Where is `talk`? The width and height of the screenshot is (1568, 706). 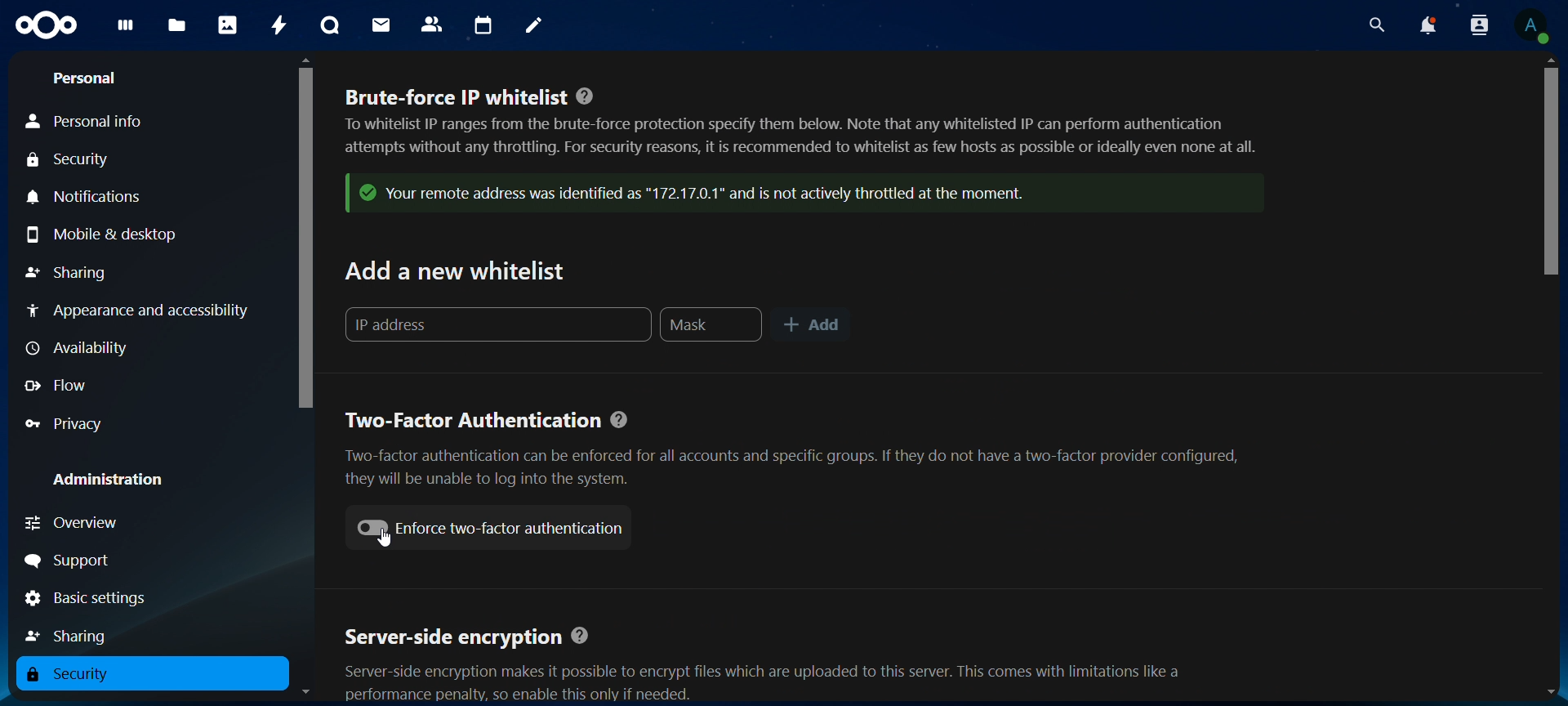 talk is located at coordinates (330, 24).